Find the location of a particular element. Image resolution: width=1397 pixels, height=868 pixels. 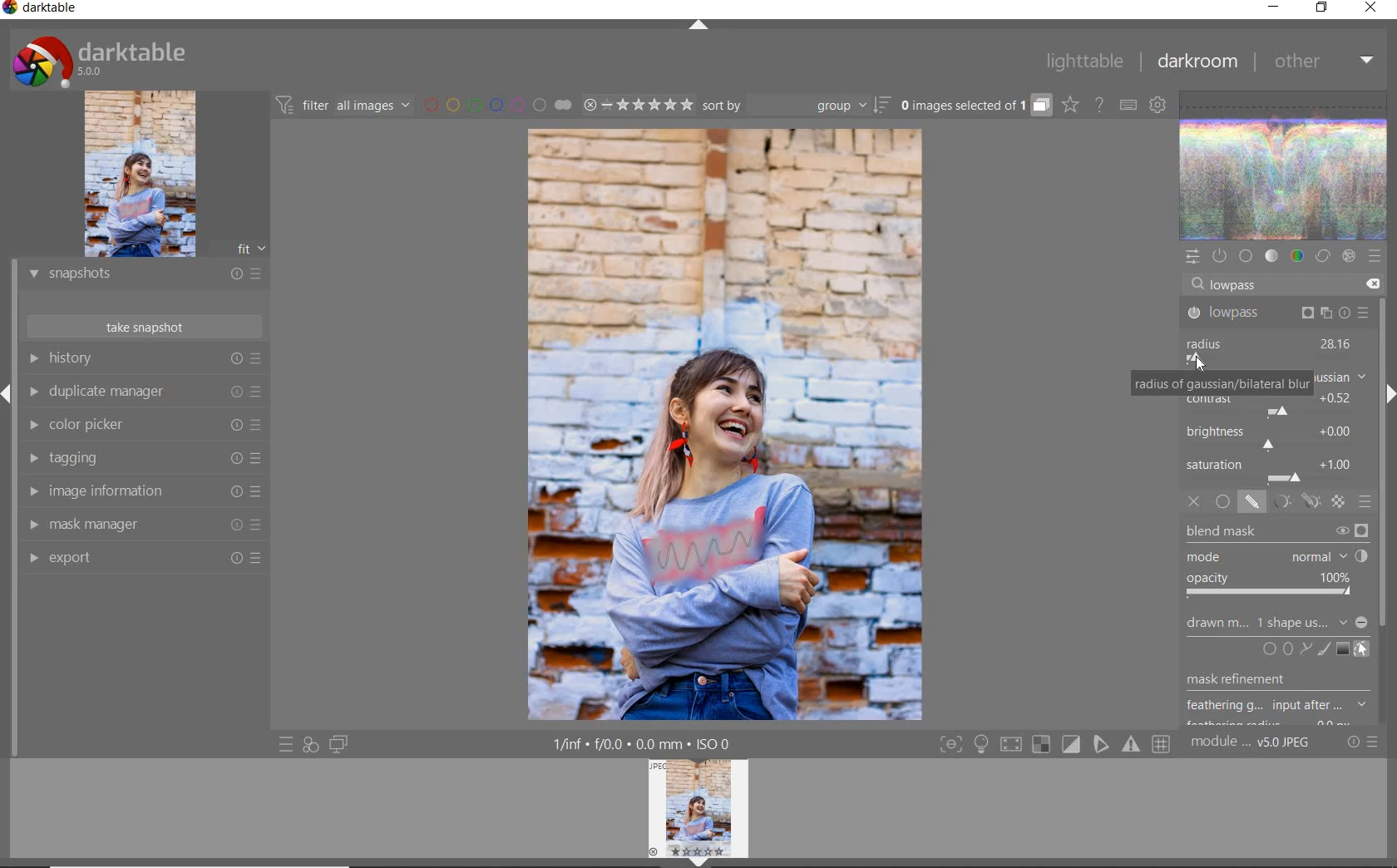

correct is located at coordinates (1322, 257).